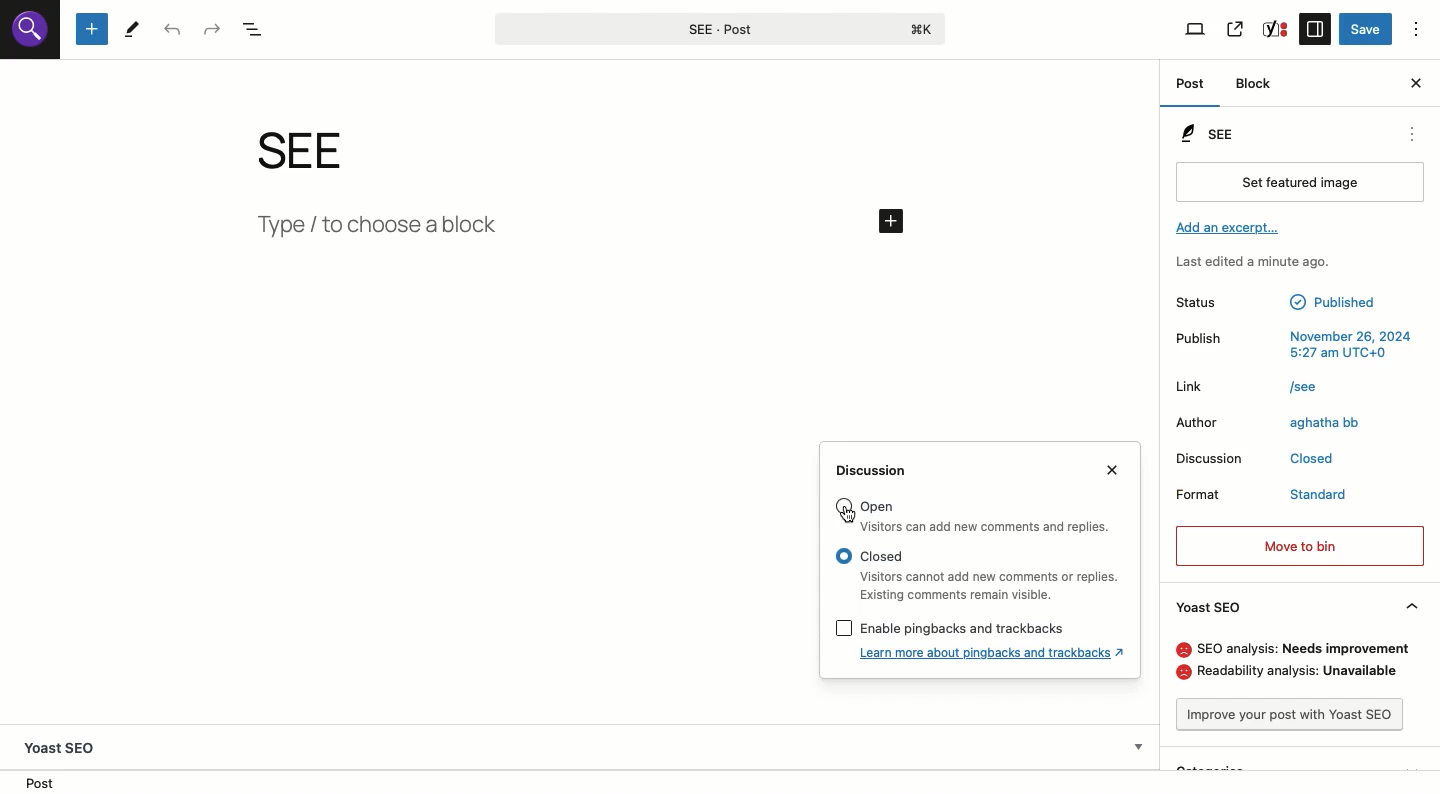  I want to click on Status published, so click(1282, 302).